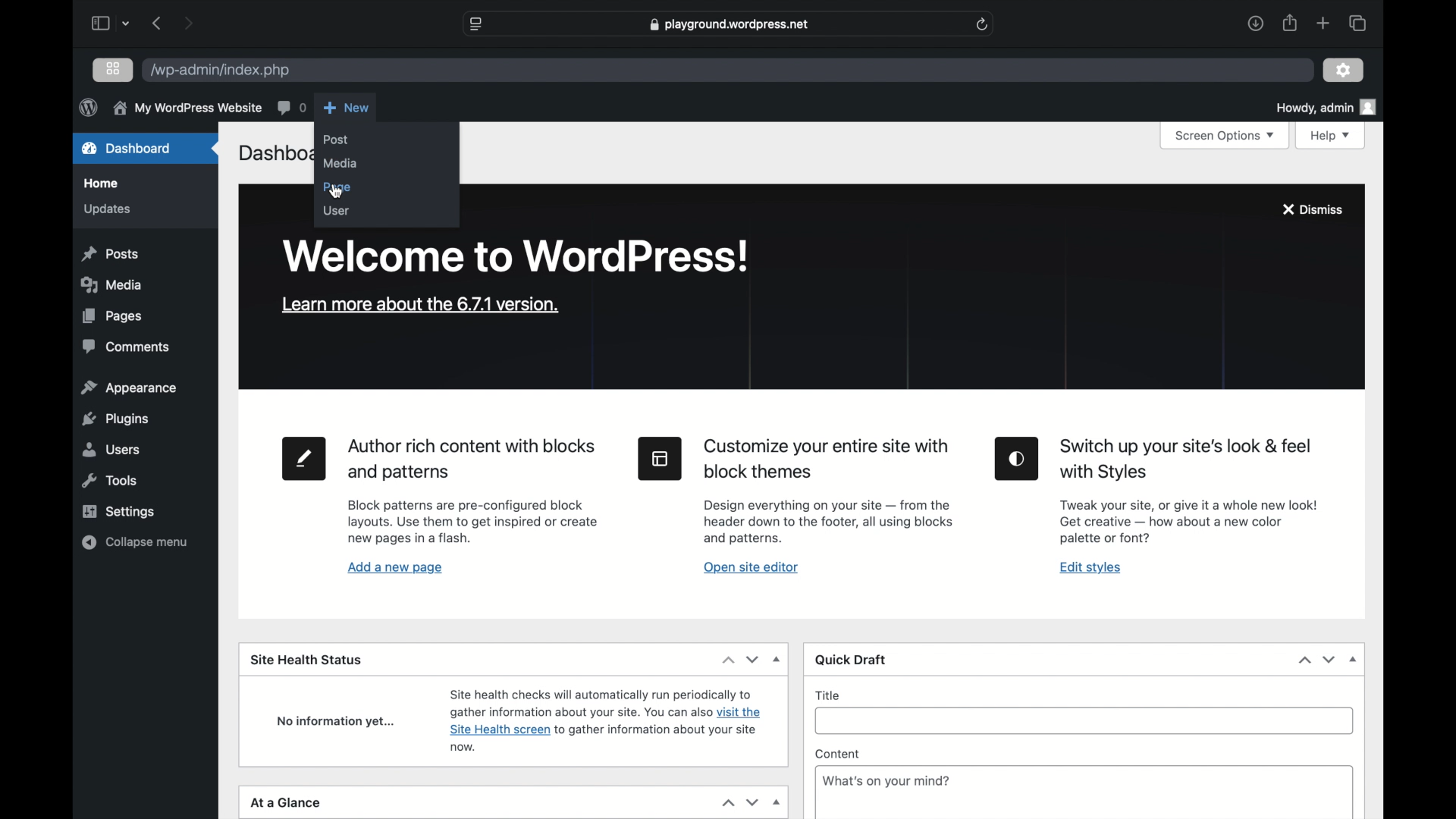 Image resolution: width=1456 pixels, height=819 pixels. What do you see at coordinates (1353, 660) in the screenshot?
I see `dropdown` at bounding box center [1353, 660].